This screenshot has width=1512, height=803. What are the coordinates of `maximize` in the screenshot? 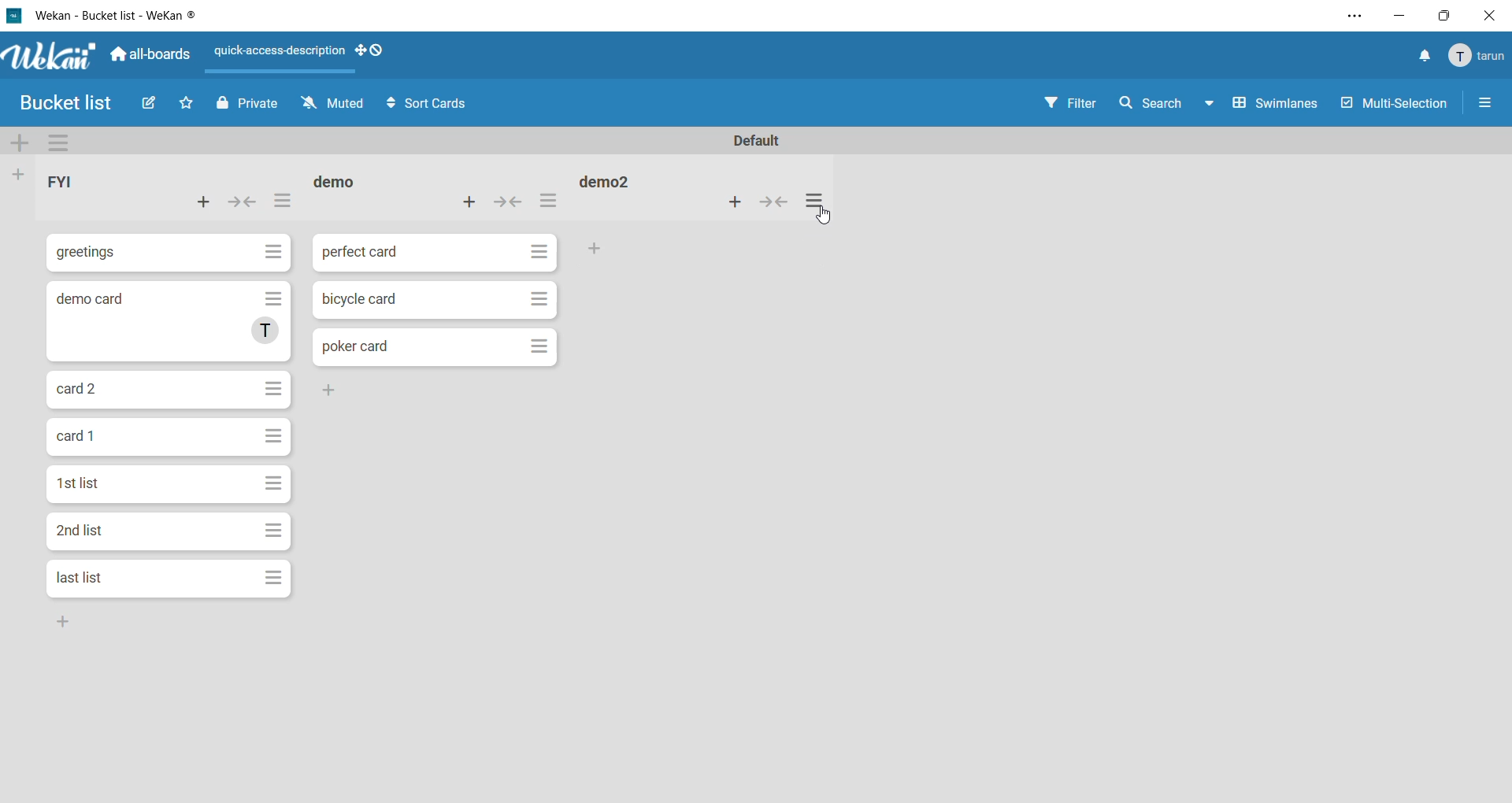 It's located at (1440, 17).